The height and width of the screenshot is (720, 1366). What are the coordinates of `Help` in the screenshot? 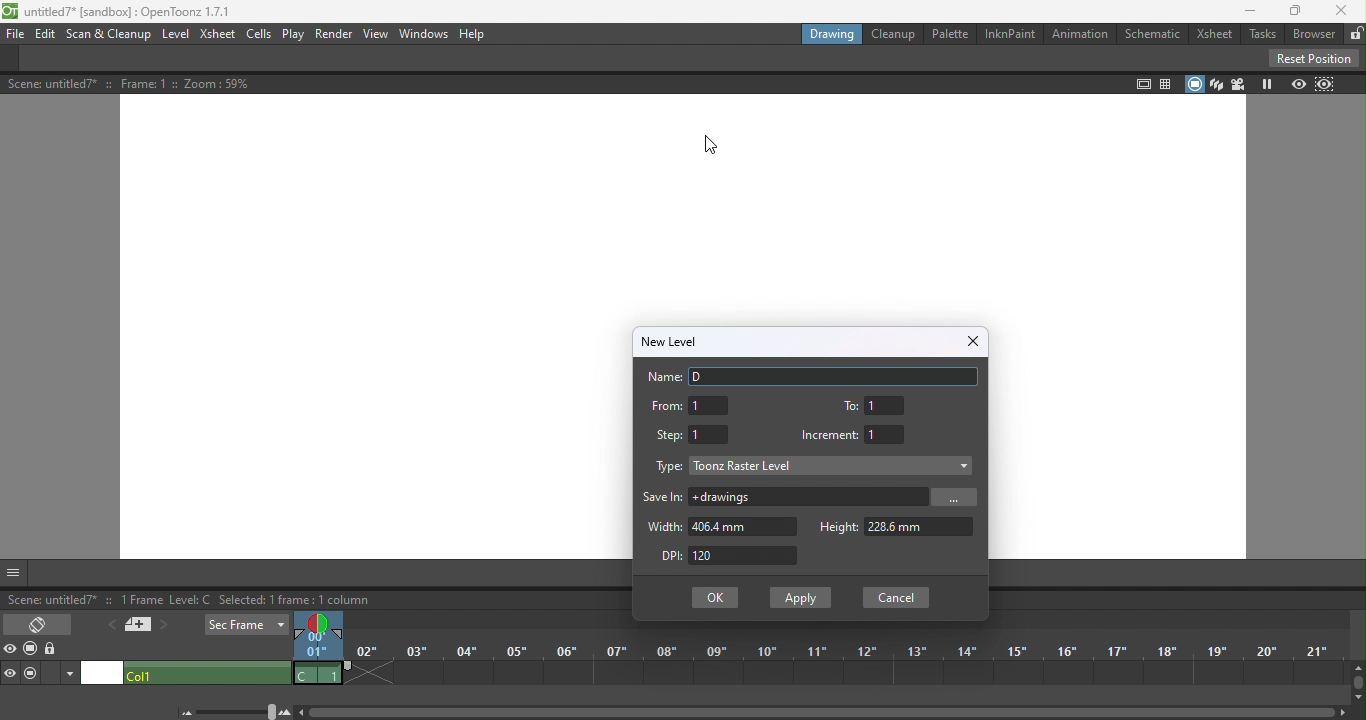 It's located at (477, 36).